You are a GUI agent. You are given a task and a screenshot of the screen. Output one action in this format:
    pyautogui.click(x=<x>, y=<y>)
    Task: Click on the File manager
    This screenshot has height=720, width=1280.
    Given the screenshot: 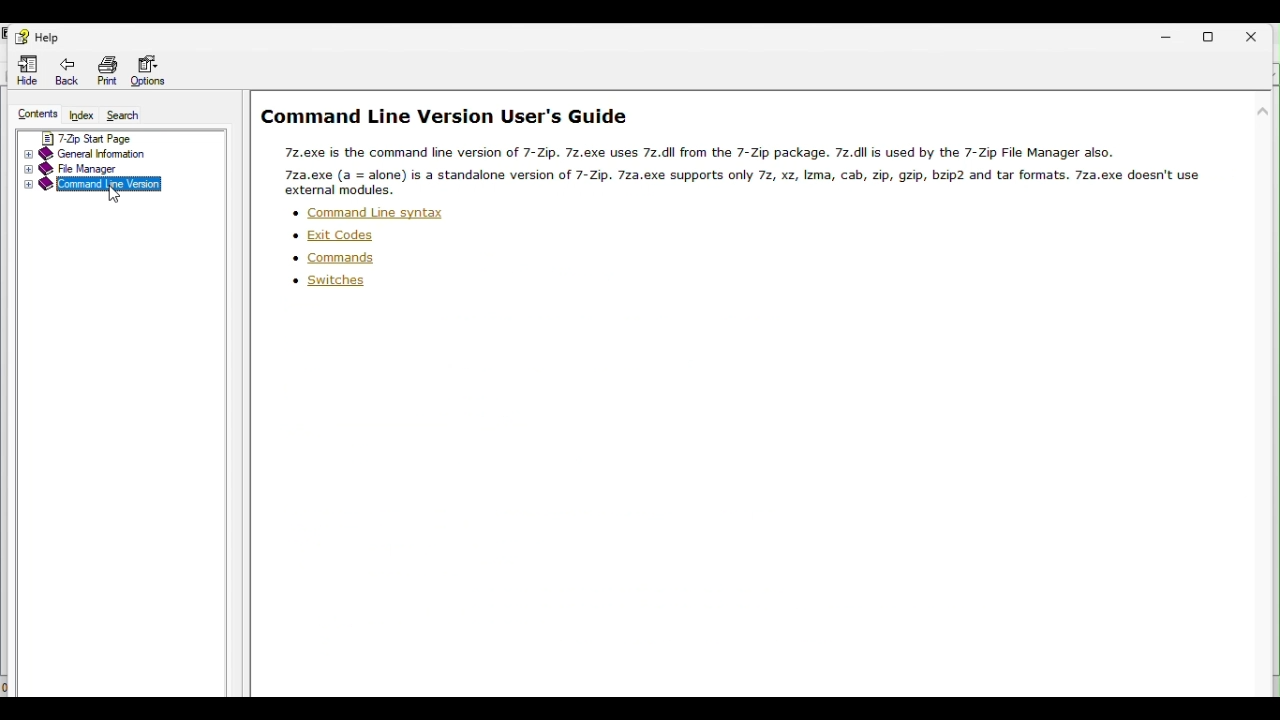 What is the action you would take?
    pyautogui.click(x=107, y=169)
    